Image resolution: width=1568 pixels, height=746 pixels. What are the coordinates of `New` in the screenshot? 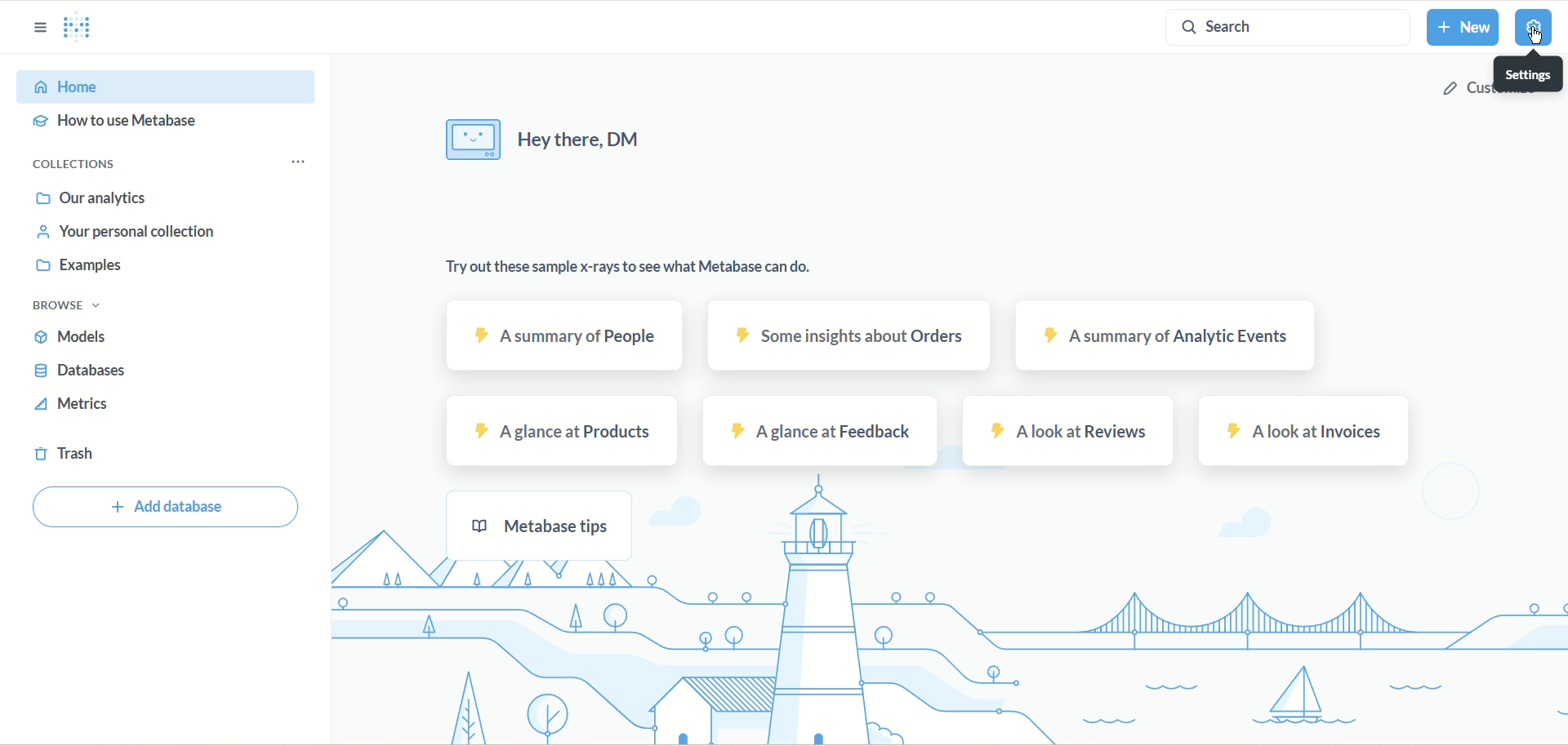 It's located at (1463, 30).